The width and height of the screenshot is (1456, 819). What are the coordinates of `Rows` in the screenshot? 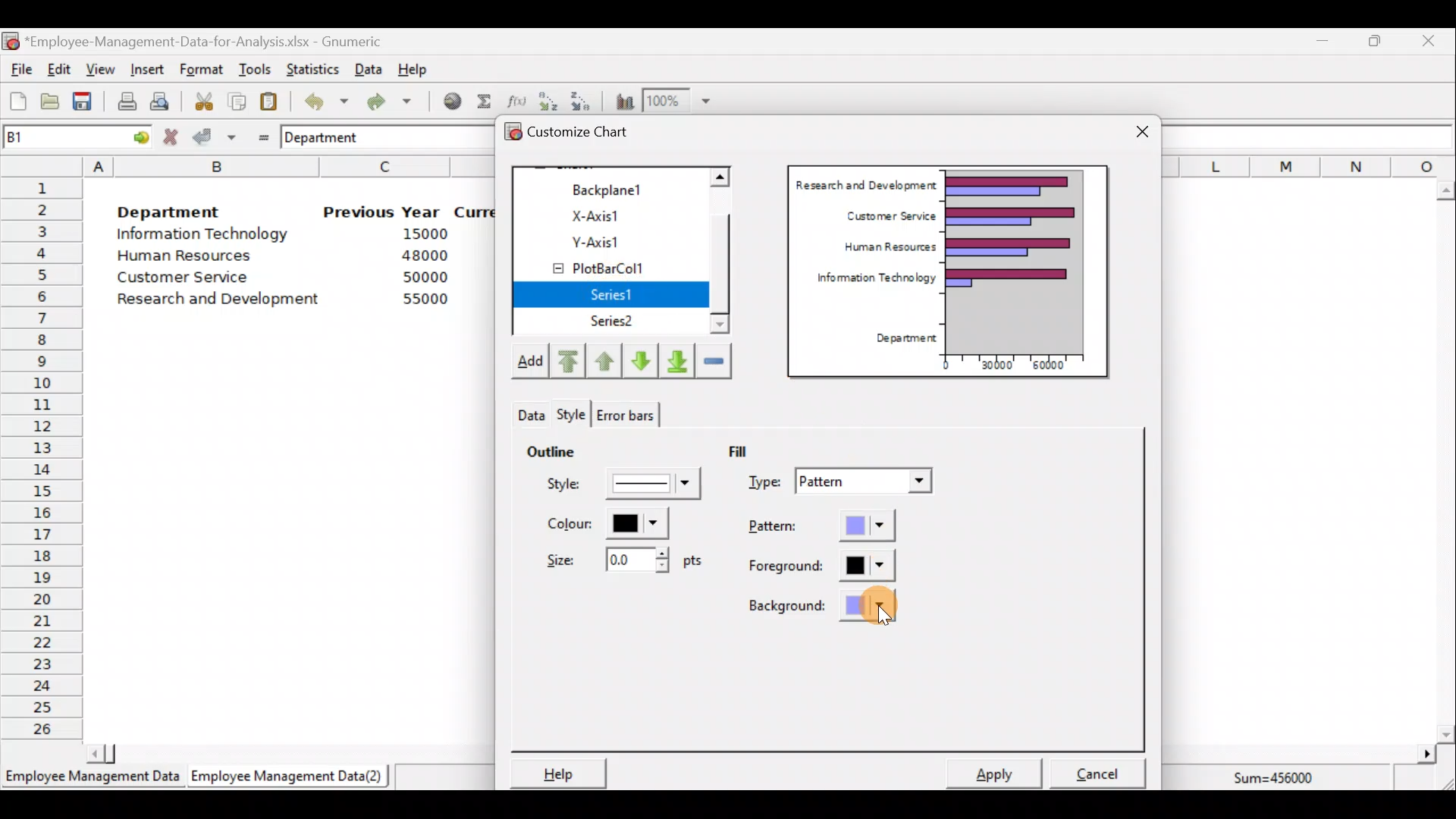 It's located at (42, 456).